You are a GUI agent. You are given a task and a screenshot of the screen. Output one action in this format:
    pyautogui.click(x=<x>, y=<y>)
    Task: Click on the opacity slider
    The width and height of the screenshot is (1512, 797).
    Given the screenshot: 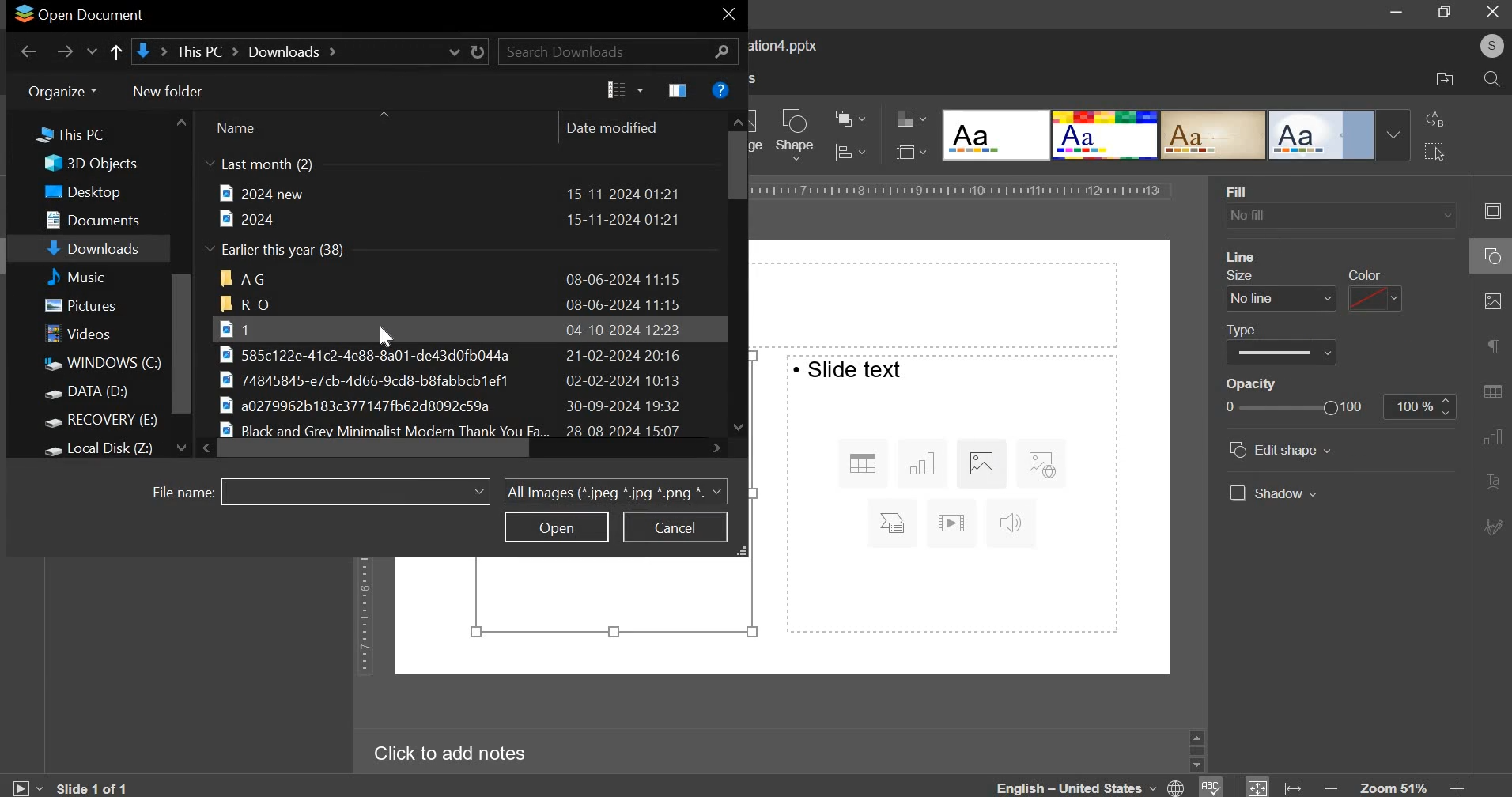 What is the action you would take?
    pyautogui.click(x=1293, y=406)
    